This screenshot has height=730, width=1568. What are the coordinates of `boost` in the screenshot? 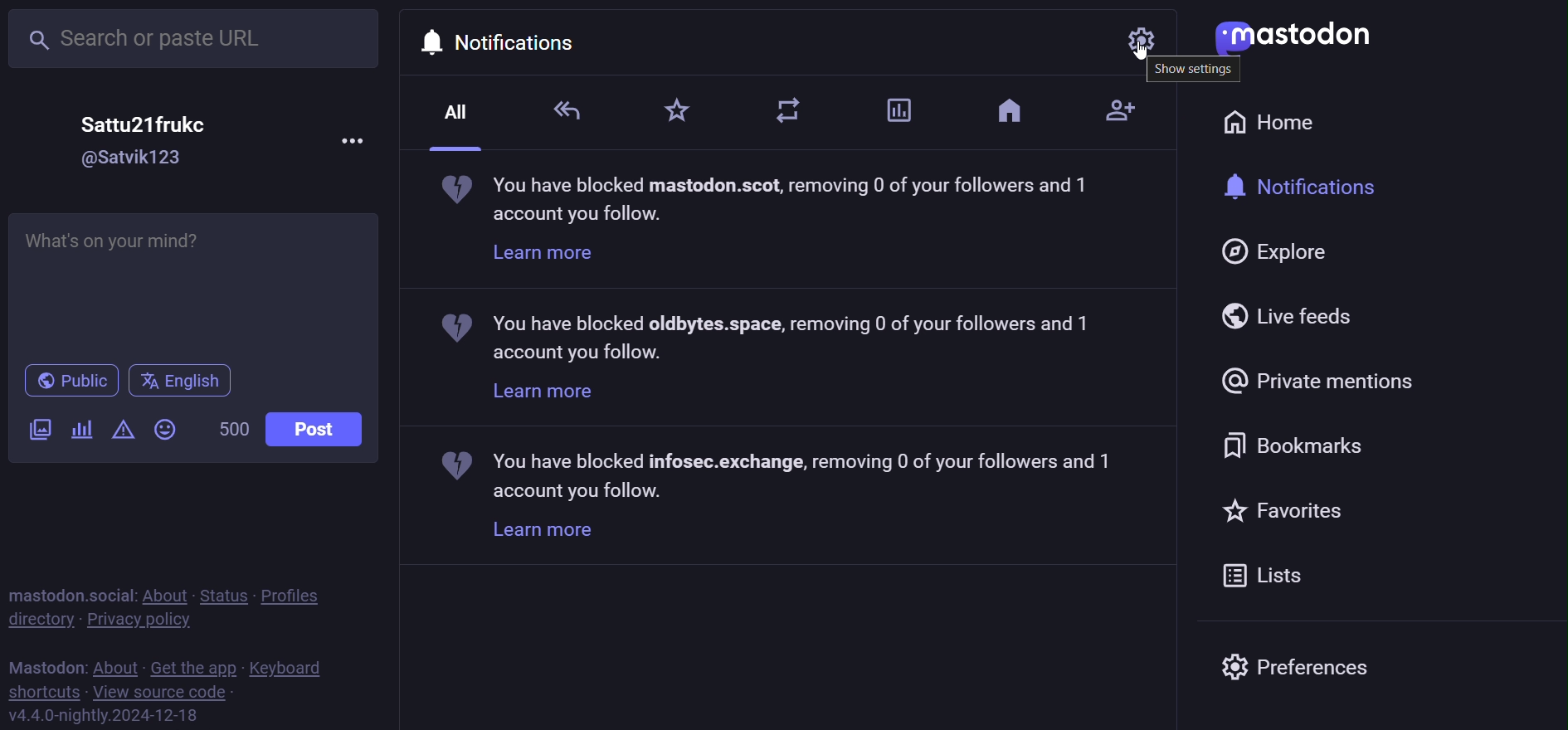 It's located at (793, 107).